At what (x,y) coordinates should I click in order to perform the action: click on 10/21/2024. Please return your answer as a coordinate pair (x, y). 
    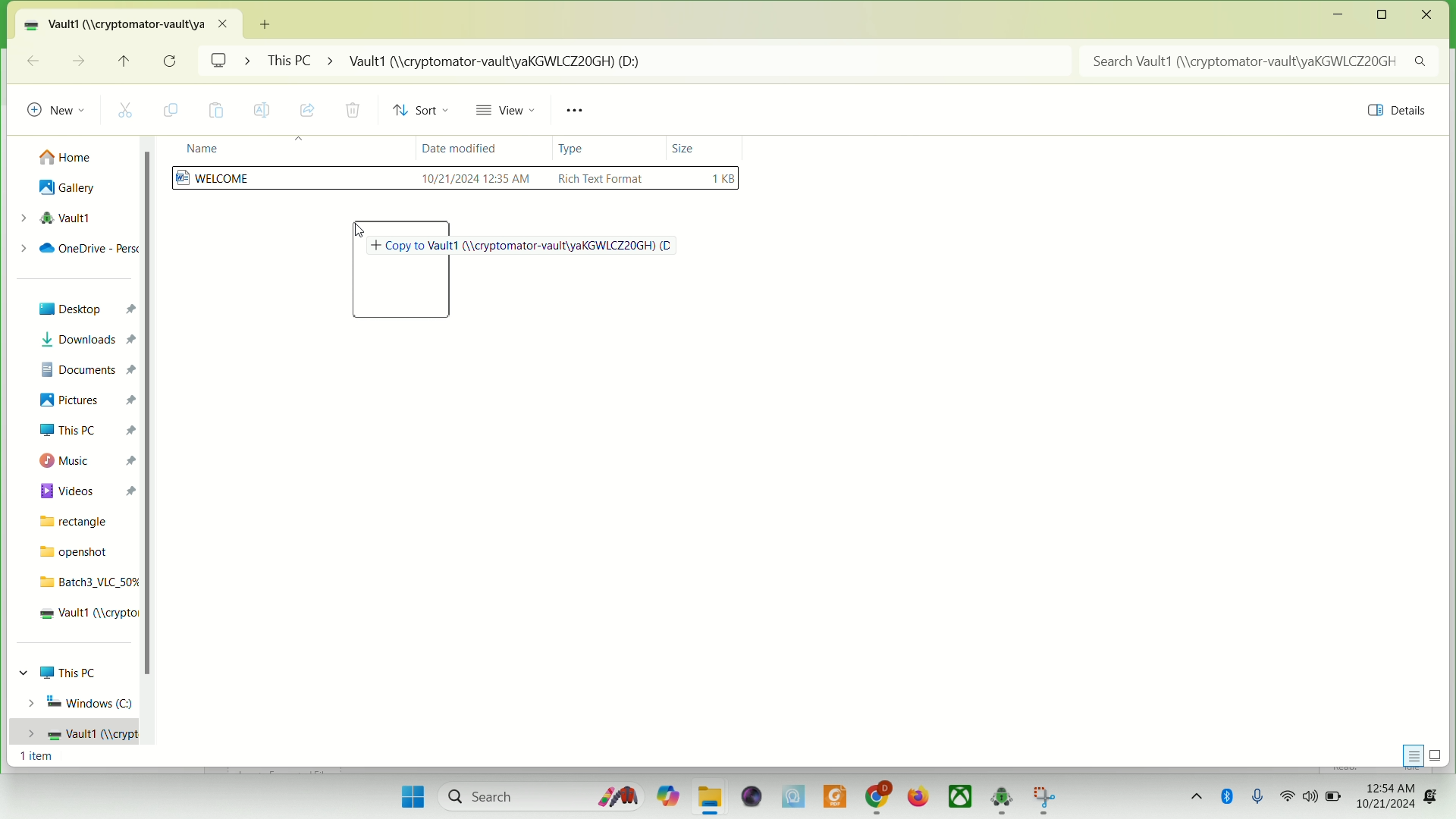
    Looking at the image, I should click on (1385, 805).